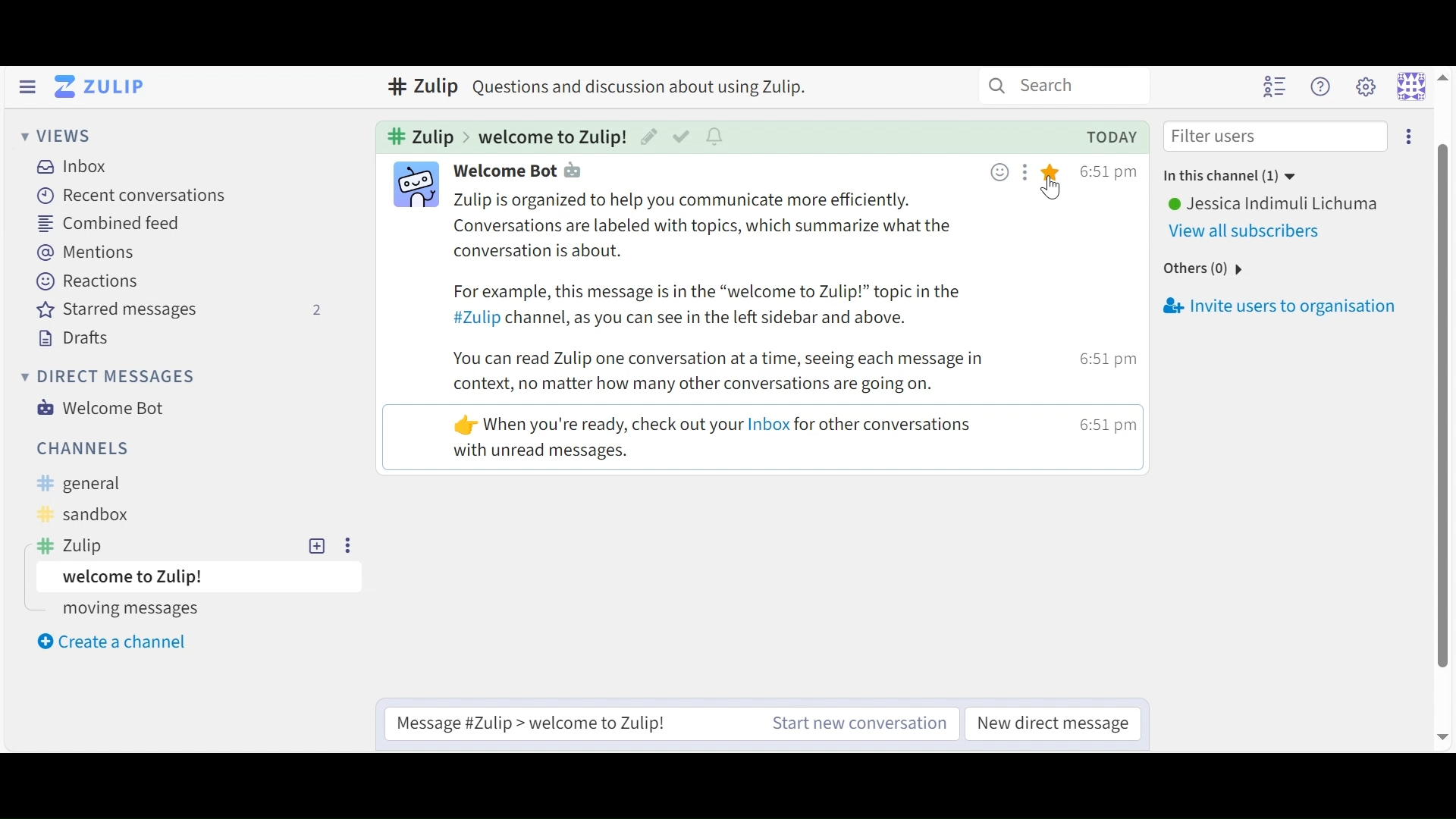 This screenshot has width=1456, height=819. Describe the element at coordinates (1276, 312) in the screenshot. I see `Invite users to organisation` at that location.